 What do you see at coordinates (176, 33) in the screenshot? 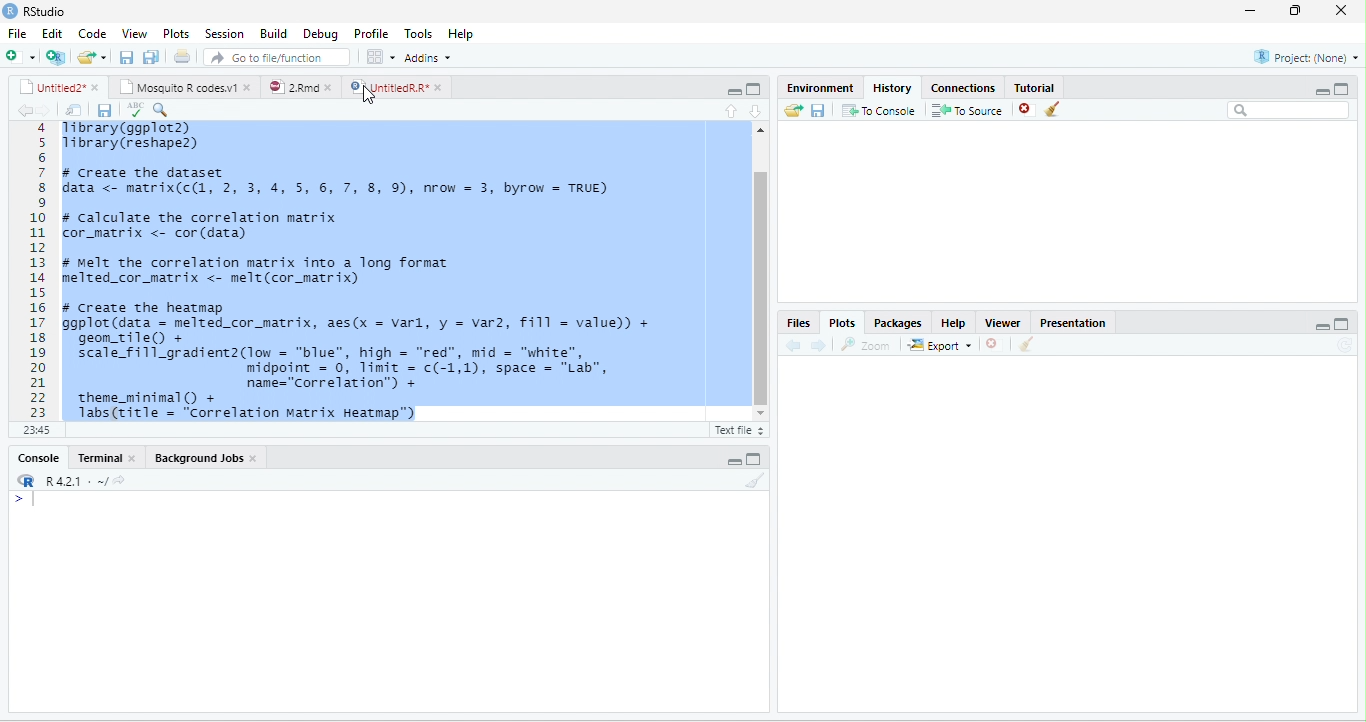
I see `plots` at bounding box center [176, 33].